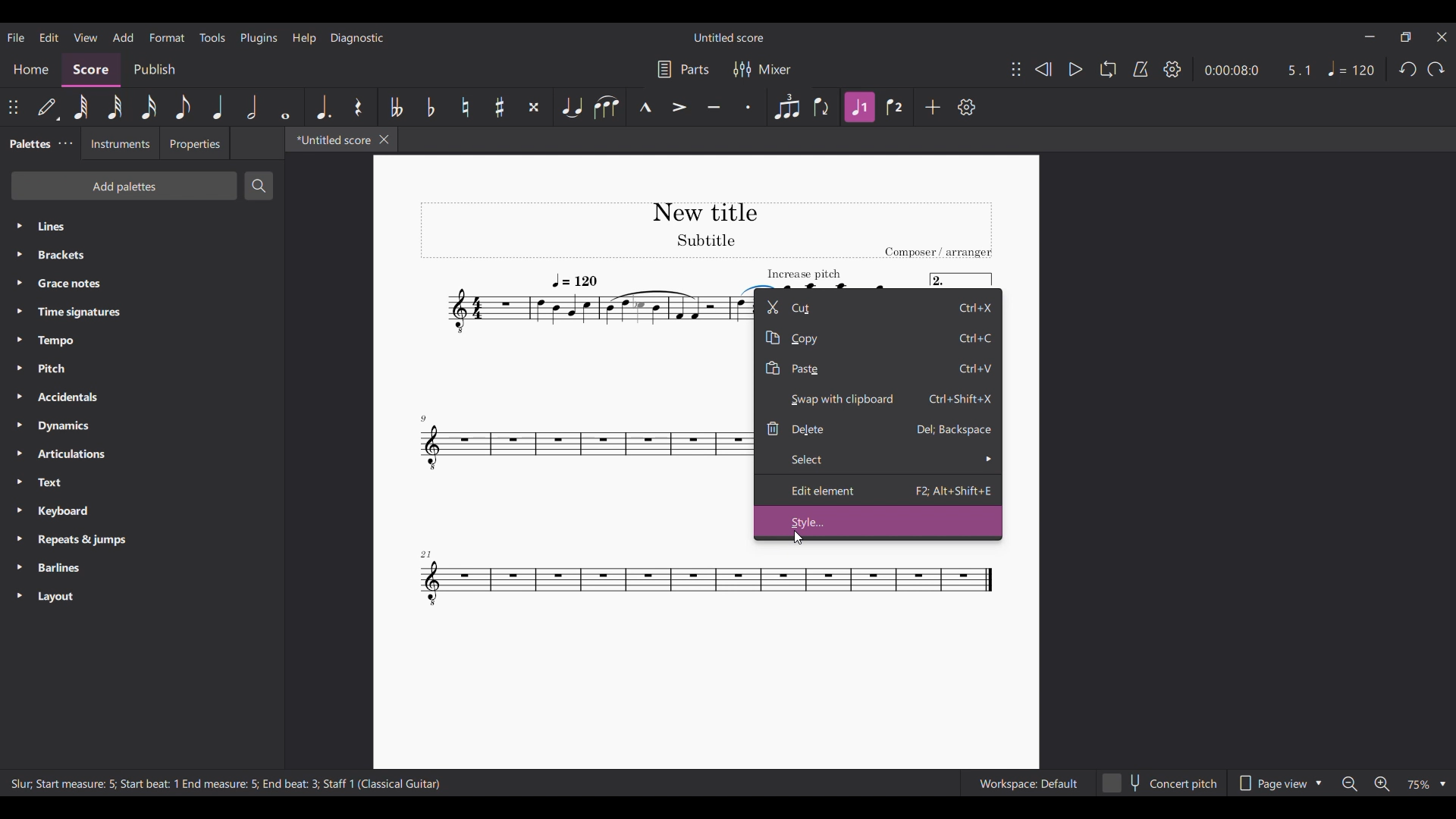  What do you see at coordinates (1141, 69) in the screenshot?
I see `Metronome` at bounding box center [1141, 69].